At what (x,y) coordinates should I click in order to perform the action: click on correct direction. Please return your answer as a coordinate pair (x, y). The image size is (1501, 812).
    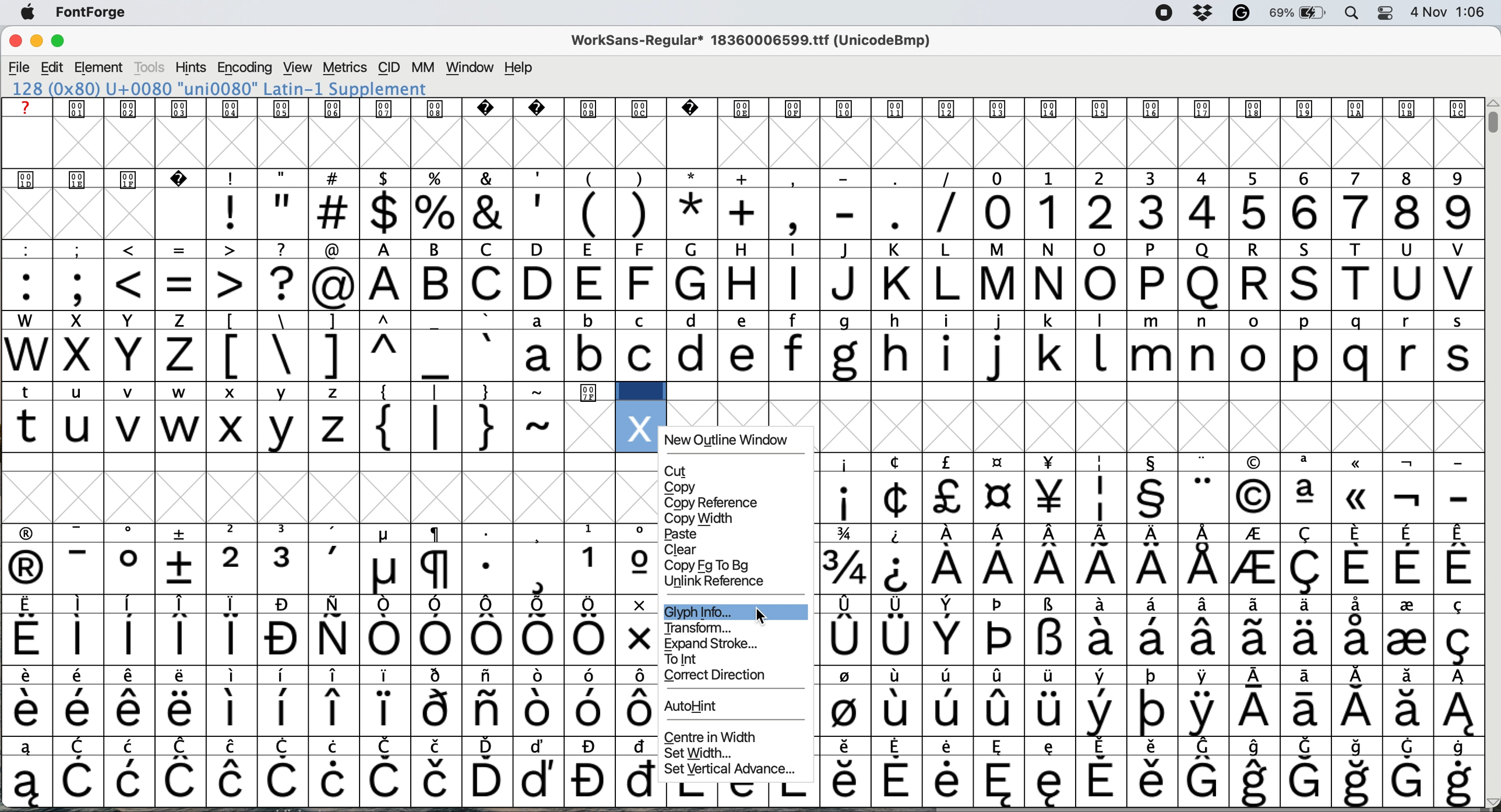
    Looking at the image, I should click on (711, 676).